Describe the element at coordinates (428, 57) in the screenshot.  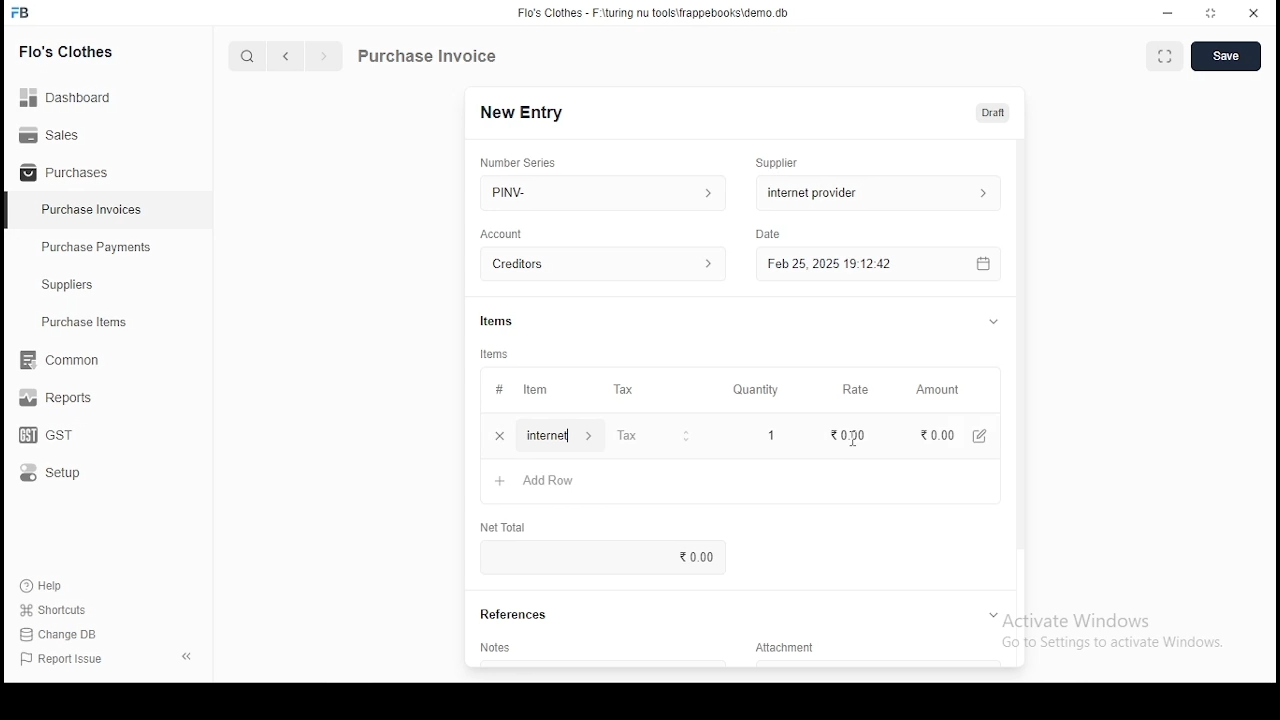
I see `purchase information` at that location.